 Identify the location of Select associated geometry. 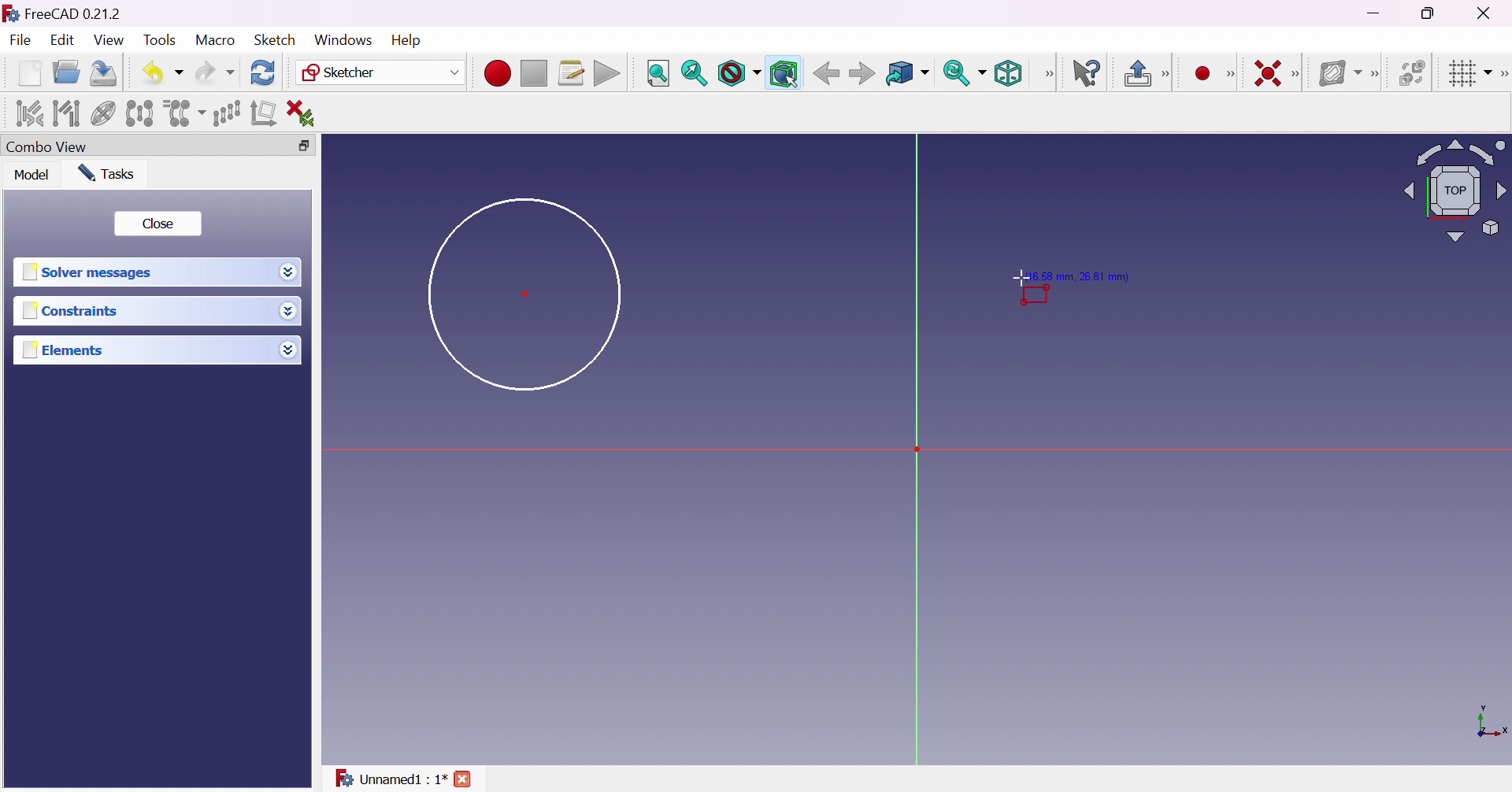
(67, 112).